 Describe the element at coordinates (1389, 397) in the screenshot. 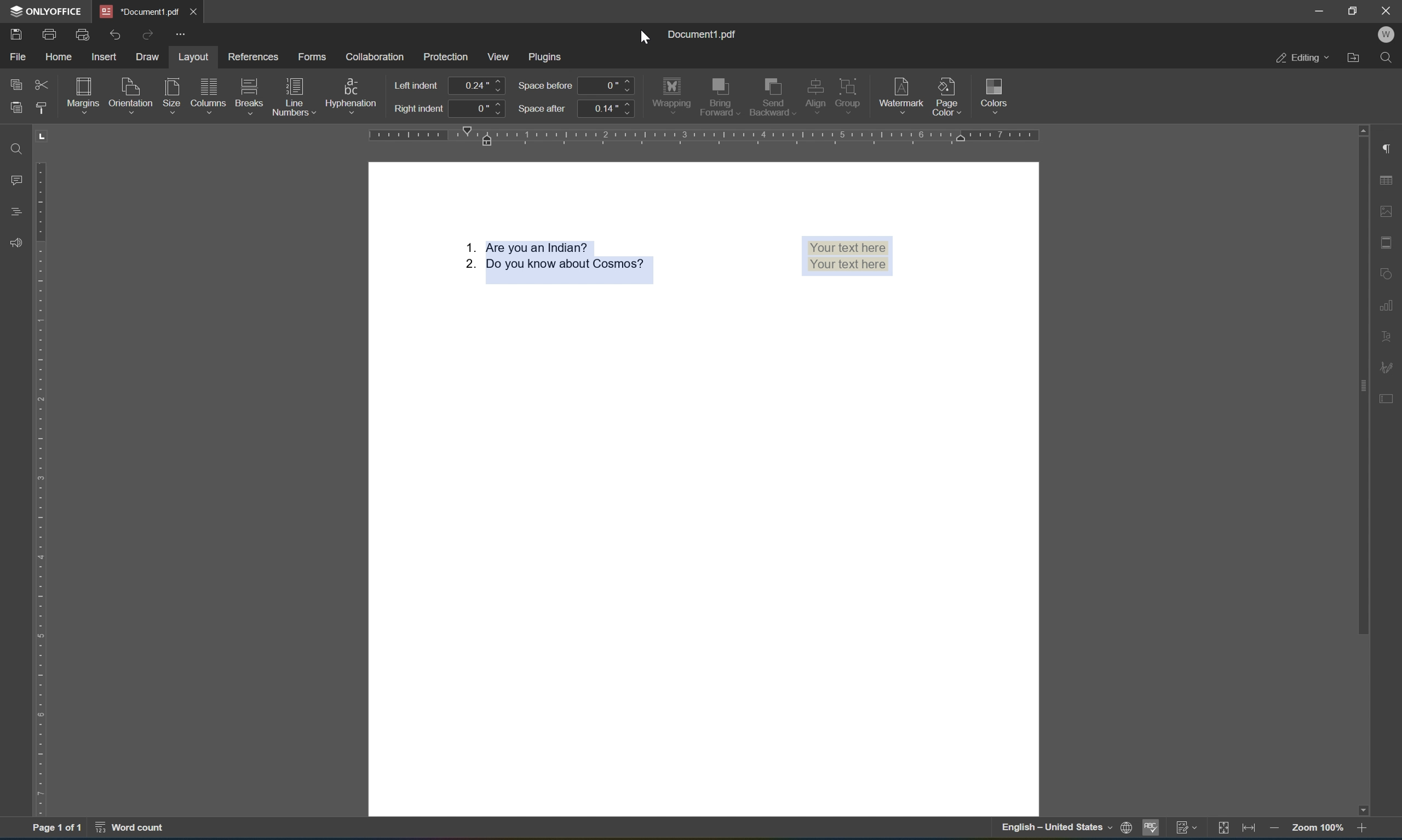

I see `form settings` at that location.